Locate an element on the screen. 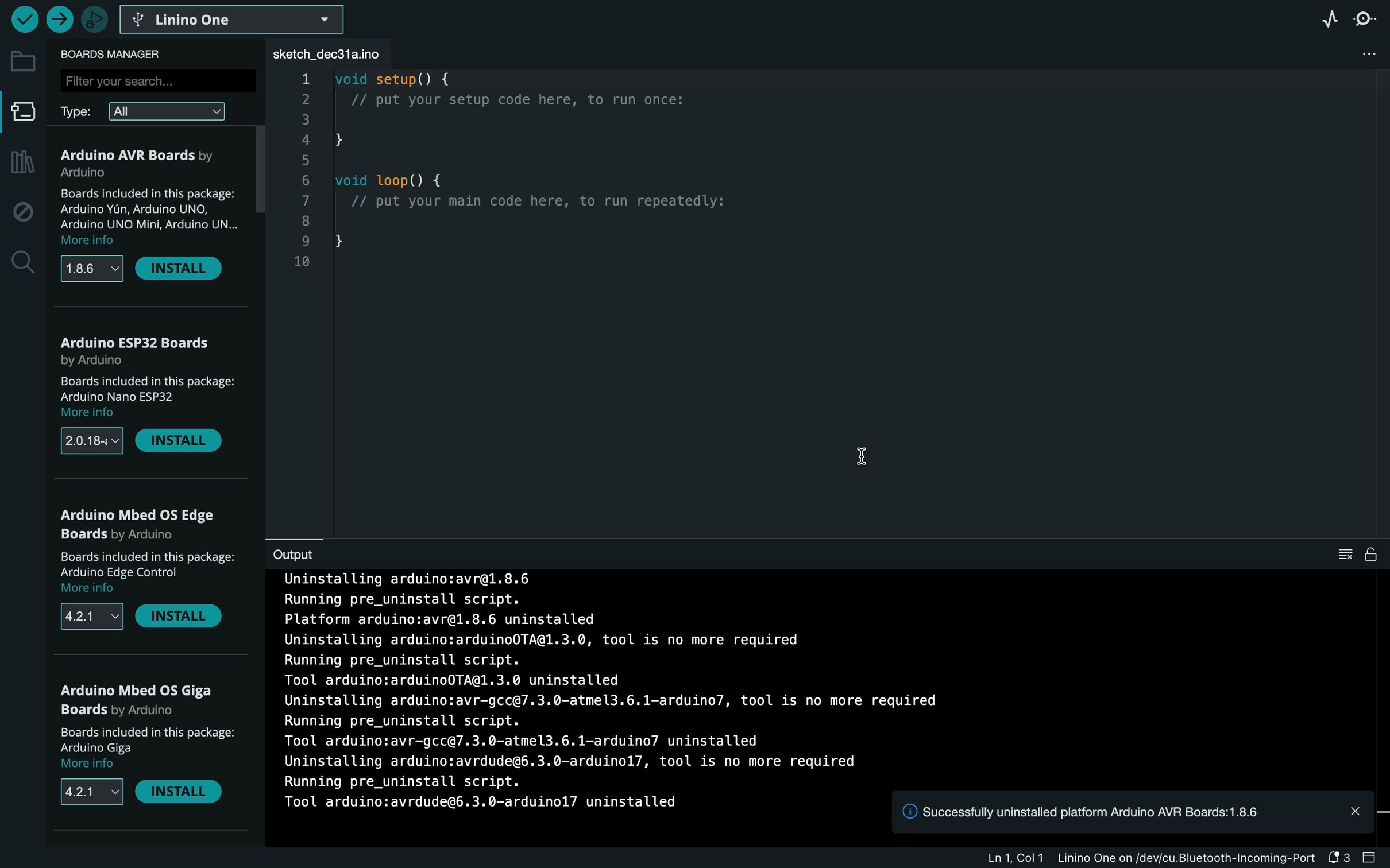 The image size is (1390, 868). close bar is located at coordinates (1374, 858).